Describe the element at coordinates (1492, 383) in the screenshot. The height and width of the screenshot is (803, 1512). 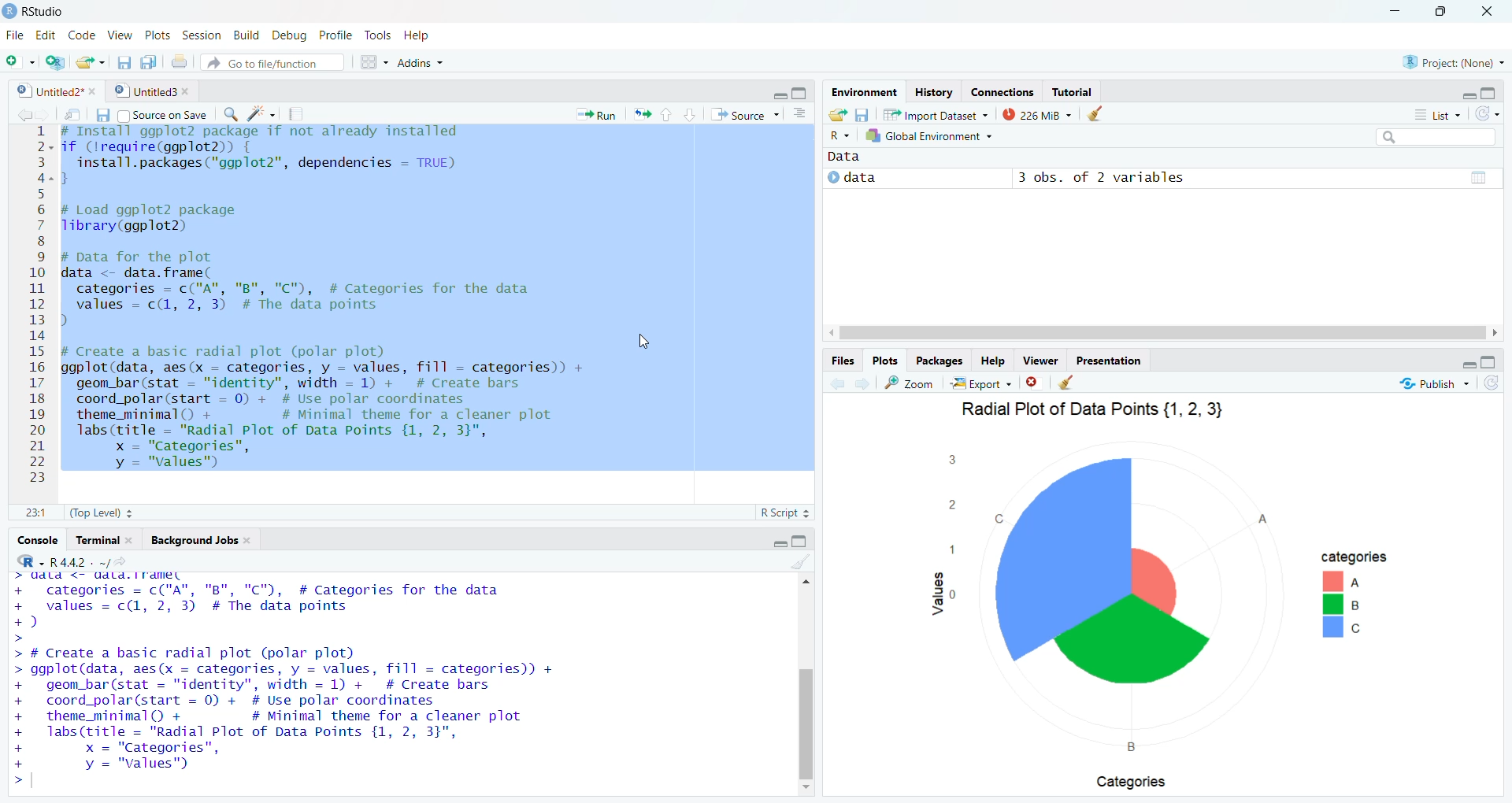
I see `Refresh theme` at that location.